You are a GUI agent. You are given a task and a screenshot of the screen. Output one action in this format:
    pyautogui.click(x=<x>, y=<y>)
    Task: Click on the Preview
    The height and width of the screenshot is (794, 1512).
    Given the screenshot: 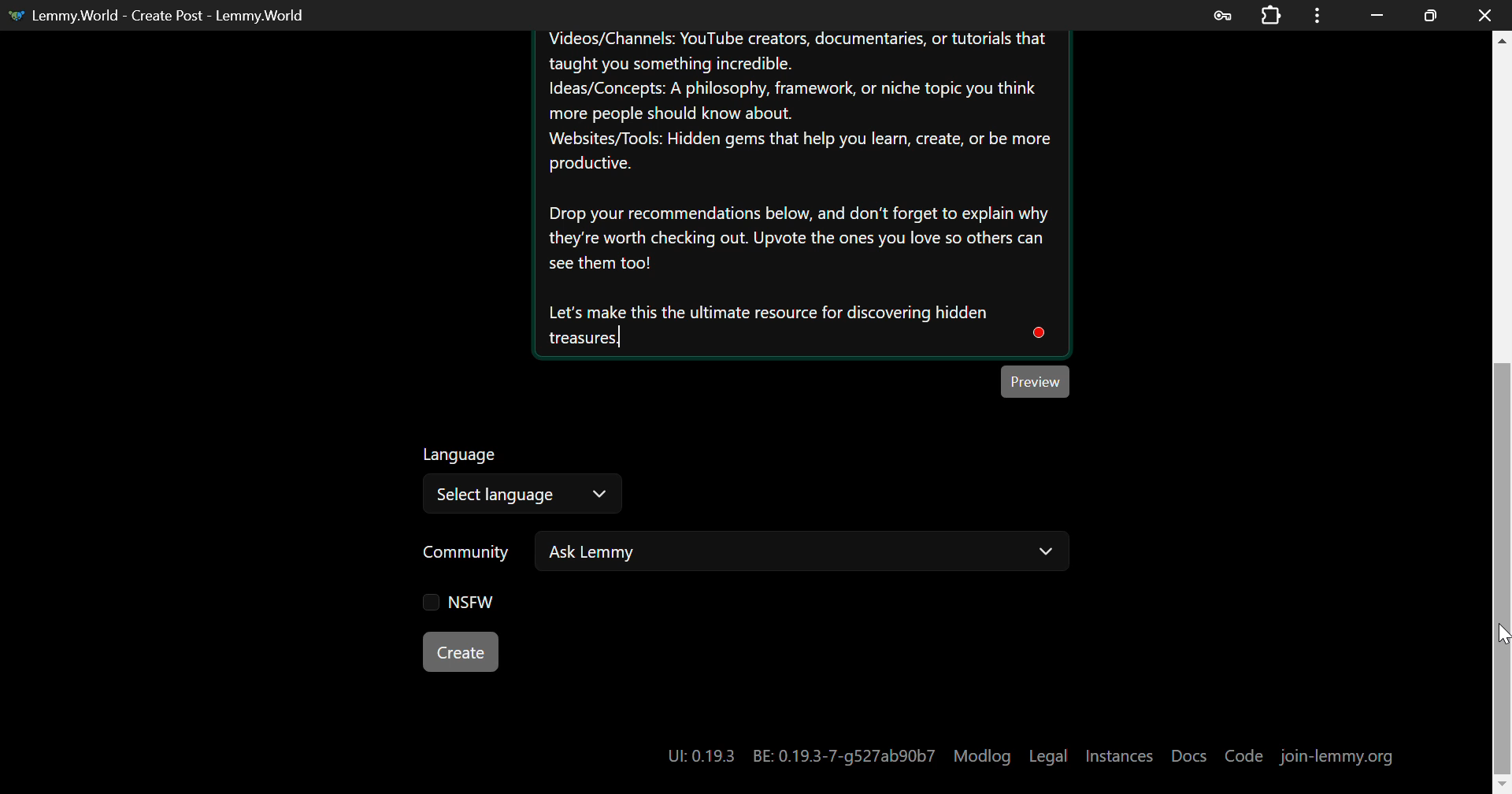 What is the action you would take?
    pyautogui.click(x=1038, y=380)
    